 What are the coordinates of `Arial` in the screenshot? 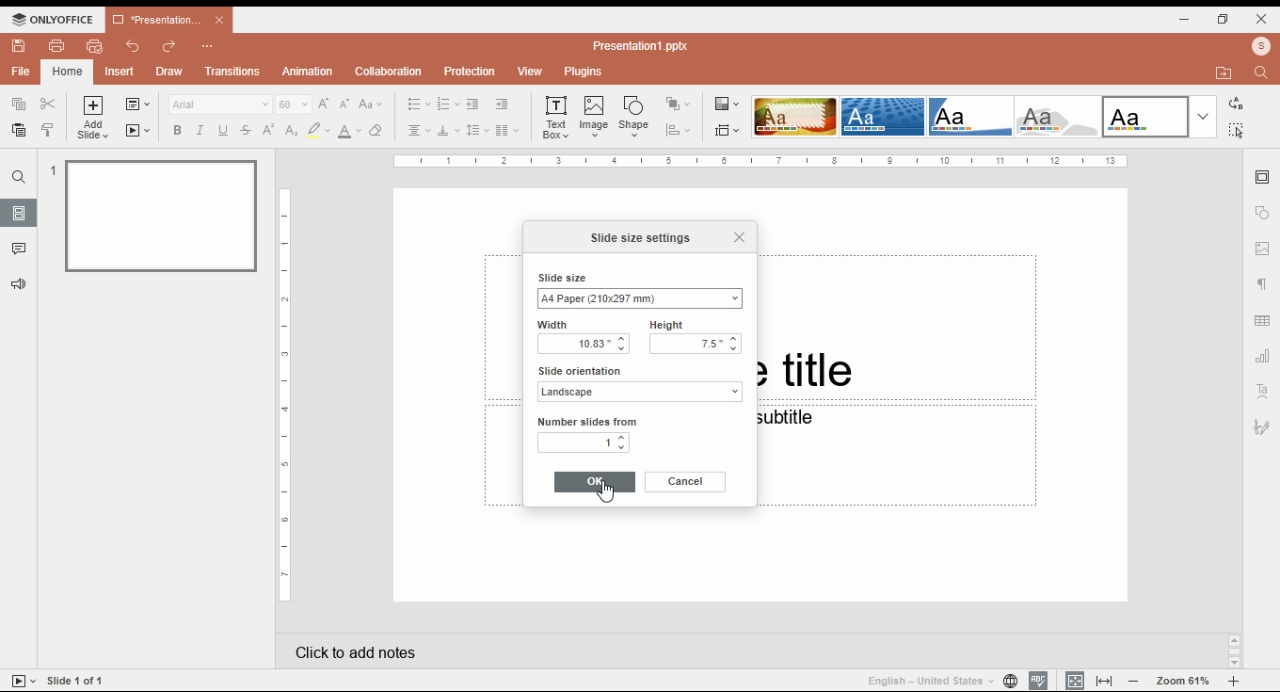 It's located at (219, 104).